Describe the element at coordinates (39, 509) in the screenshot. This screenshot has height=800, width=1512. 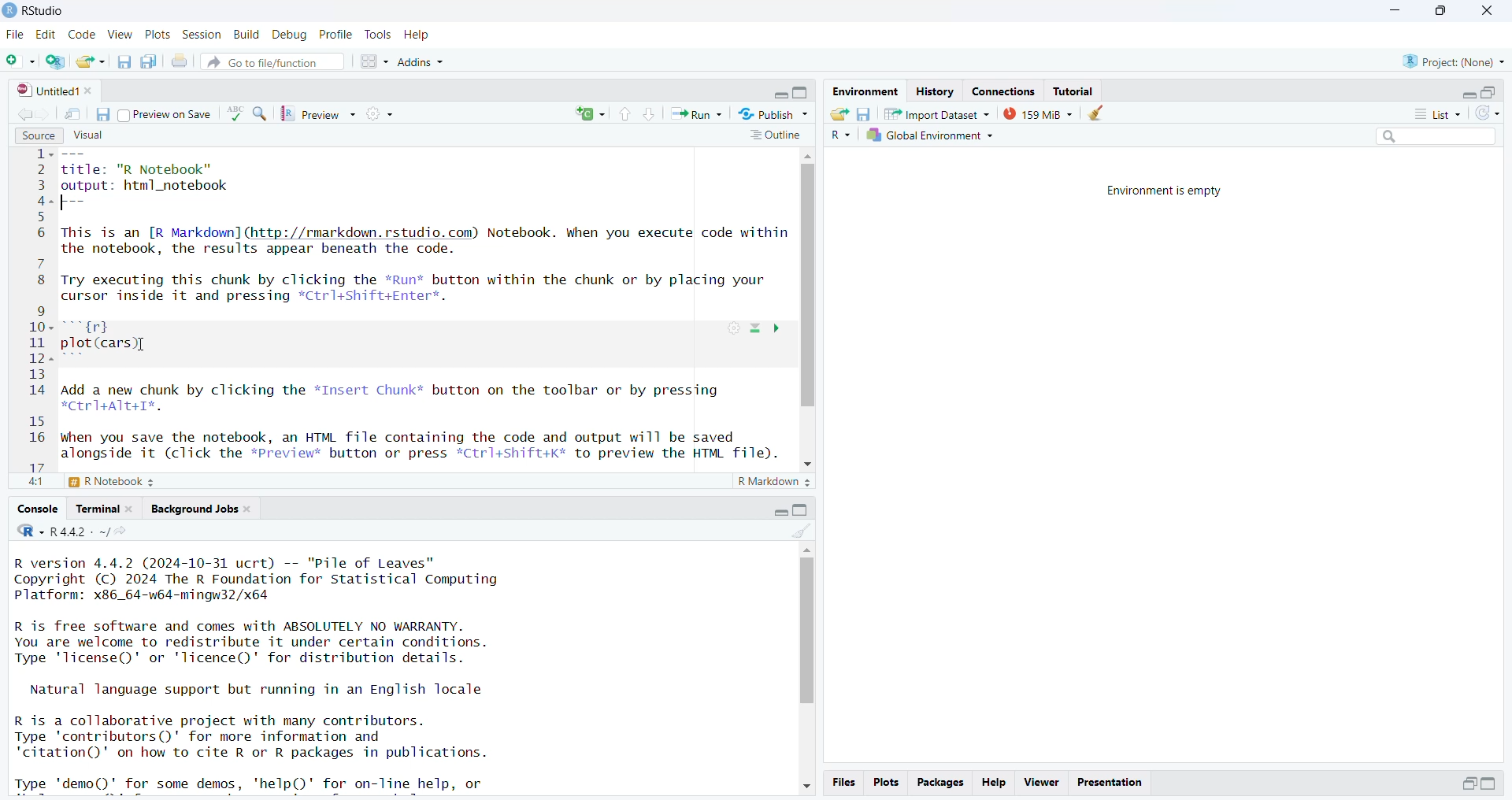
I see `console` at that location.